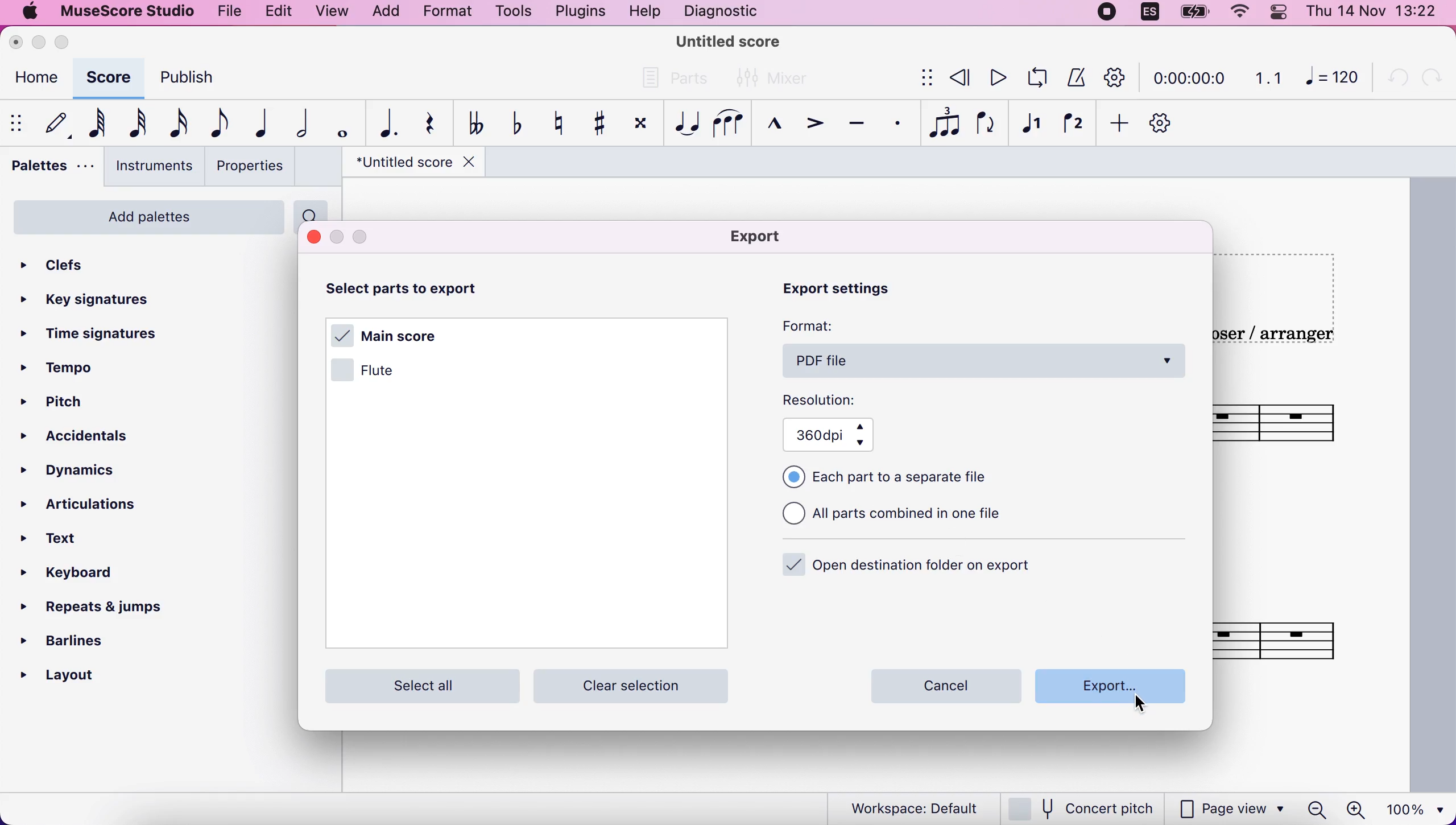  What do you see at coordinates (1334, 80) in the screenshot?
I see `120` at bounding box center [1334, 80].